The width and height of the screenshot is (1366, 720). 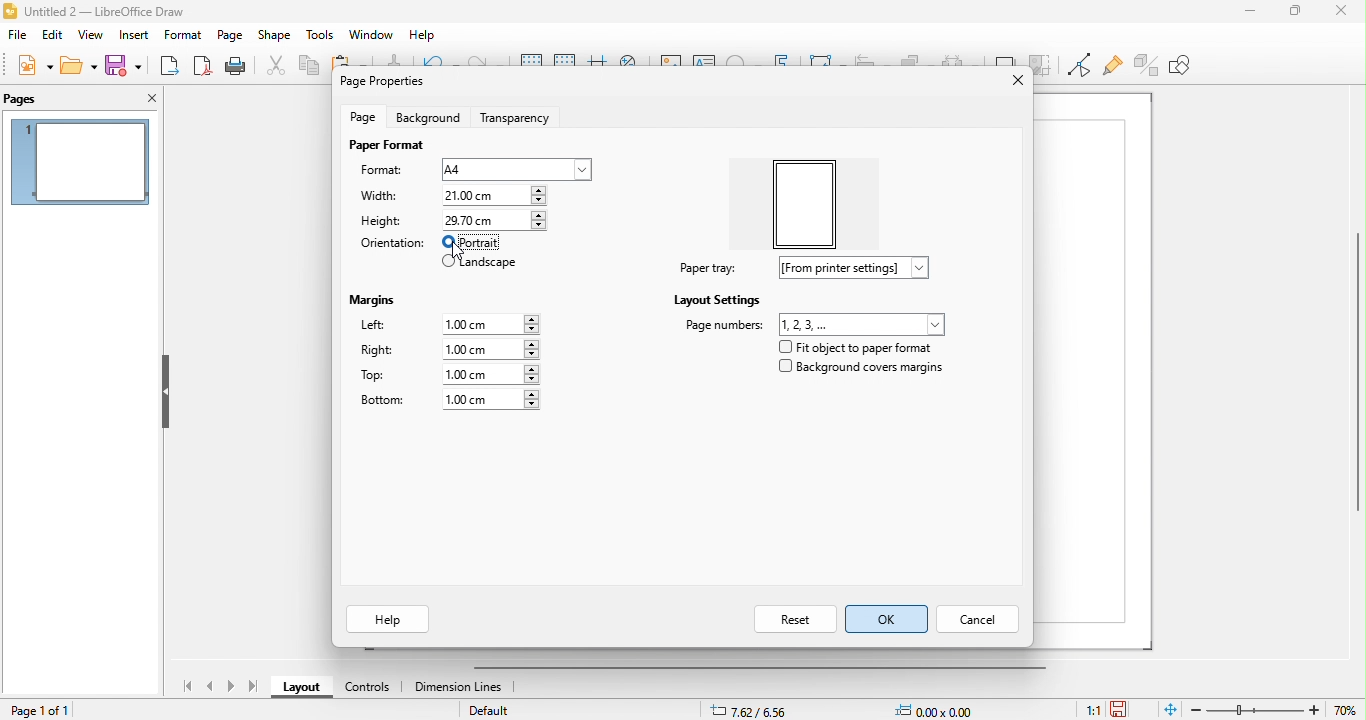 I want to click on controls, so click(x=365, y=688).